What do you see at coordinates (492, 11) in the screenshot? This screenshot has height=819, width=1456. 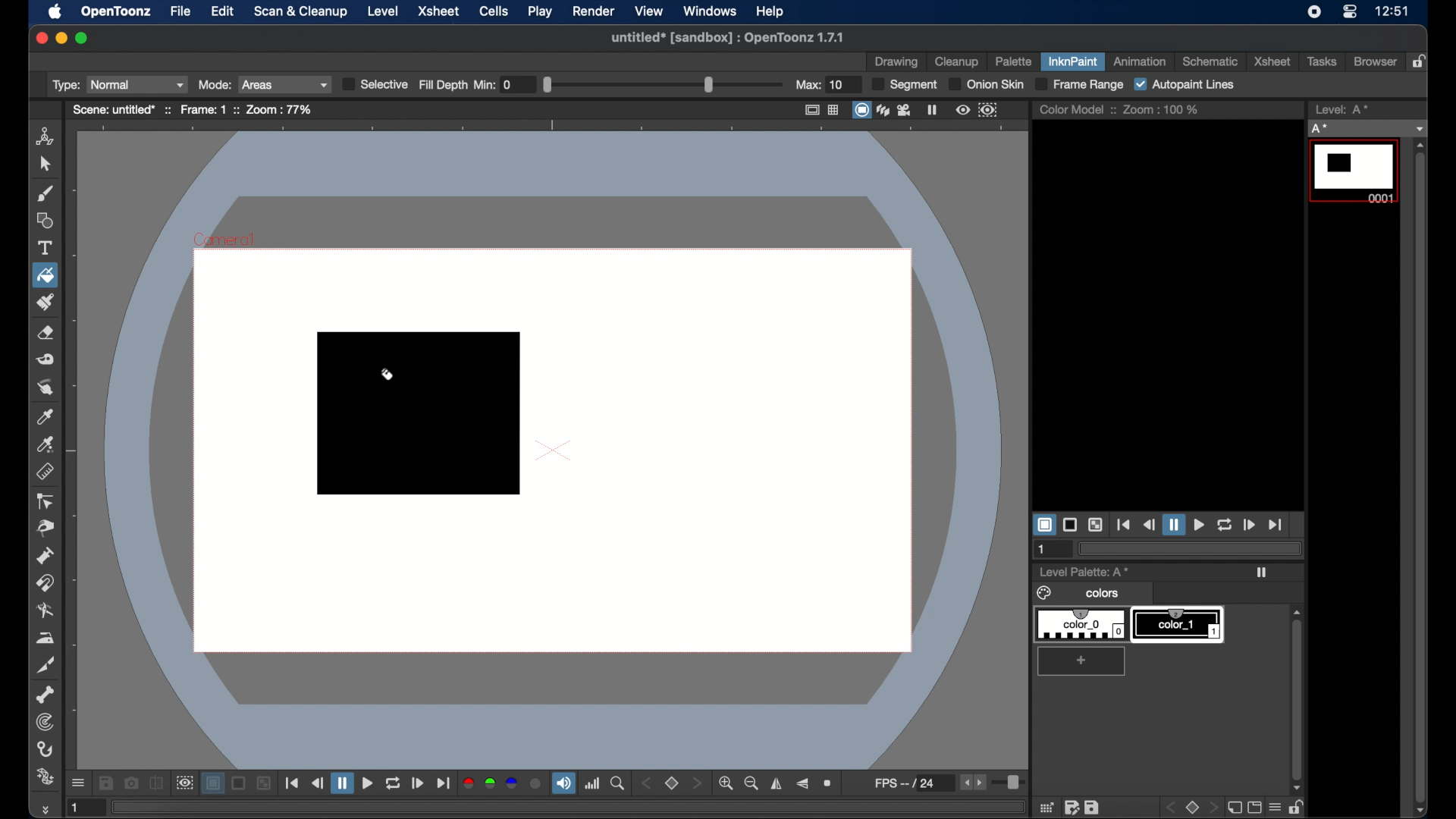 I see `cells` at bounding box center [492, 11].